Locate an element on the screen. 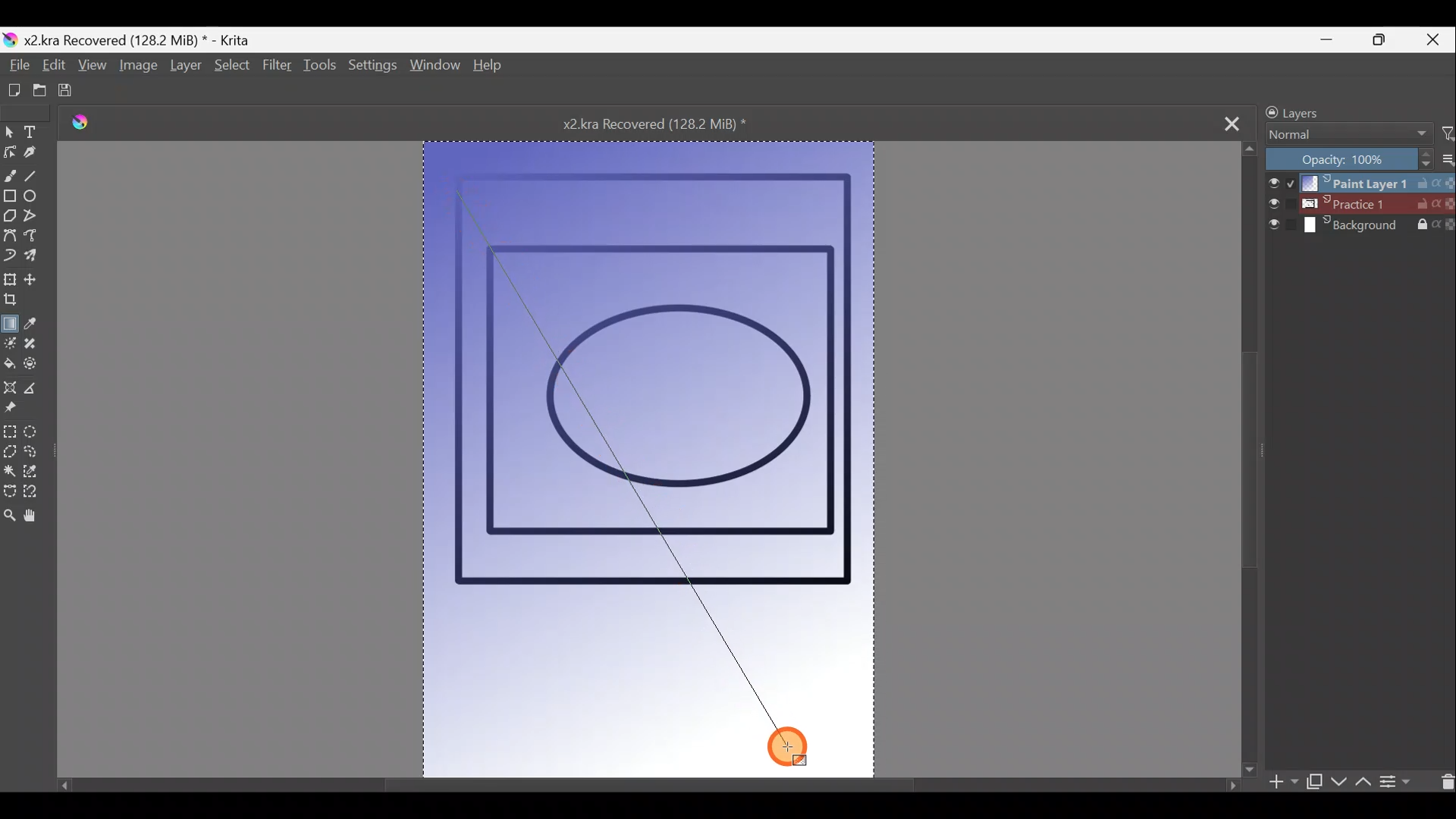 The width and height of the screenshot is (1456, 819). Add layer/mask is located at coordinates (1285, 783).